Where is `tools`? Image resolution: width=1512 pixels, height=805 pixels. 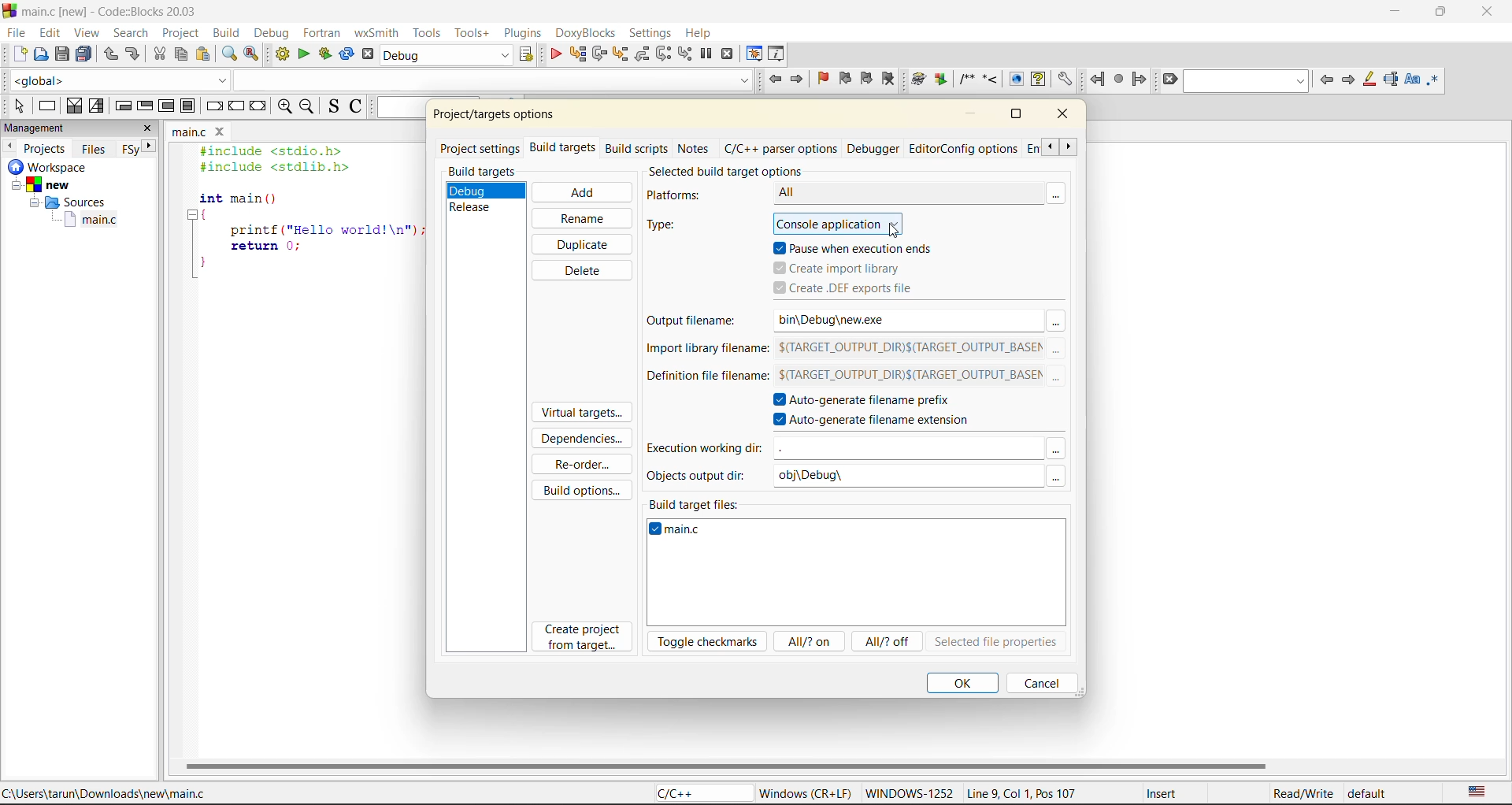 tools is located at coordinates (429, 33).